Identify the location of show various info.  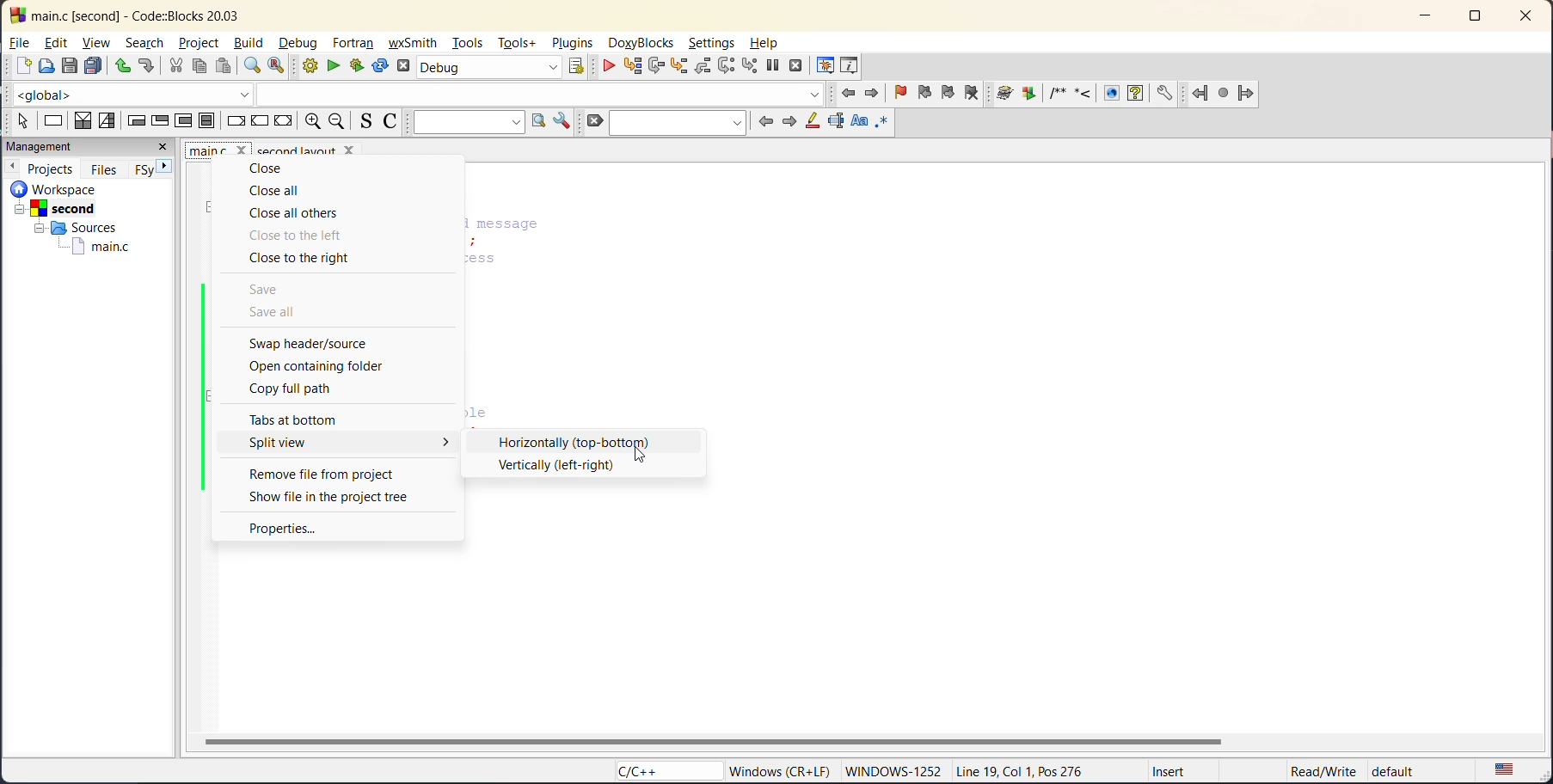
(850, 64).